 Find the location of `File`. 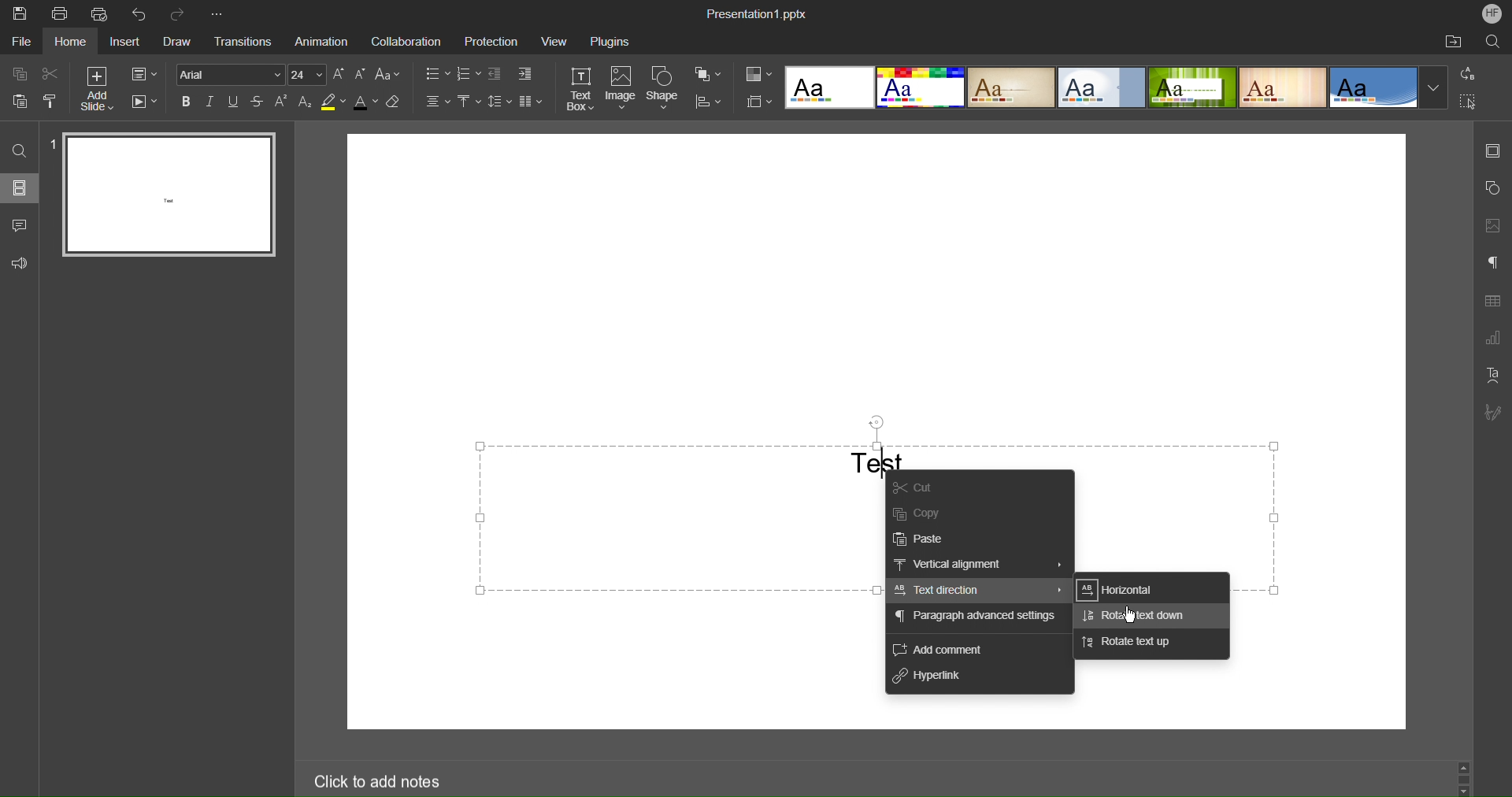

File is located at coordinates (20, 43).